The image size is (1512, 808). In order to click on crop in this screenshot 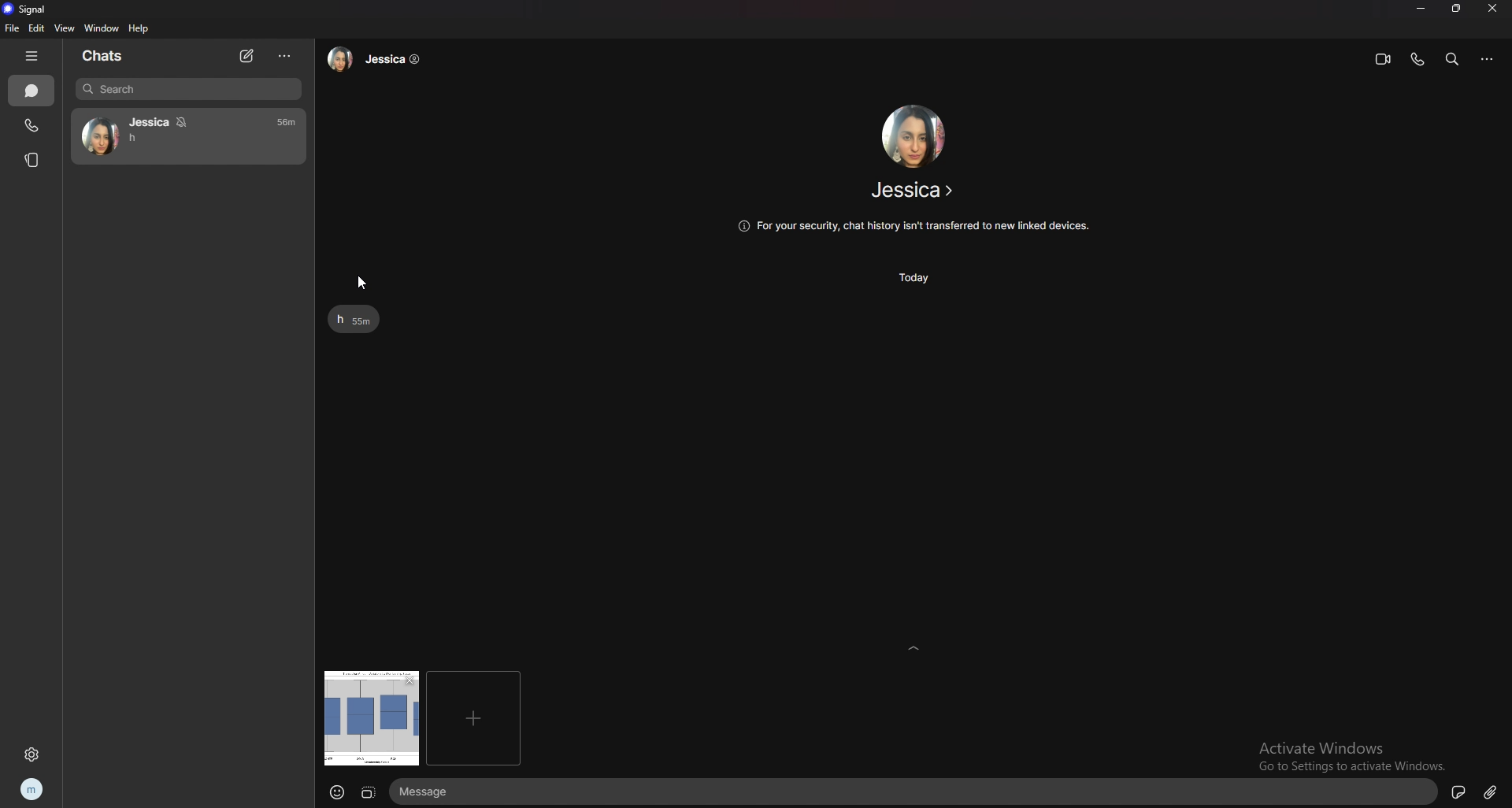, I will do `click(370, 791)`.